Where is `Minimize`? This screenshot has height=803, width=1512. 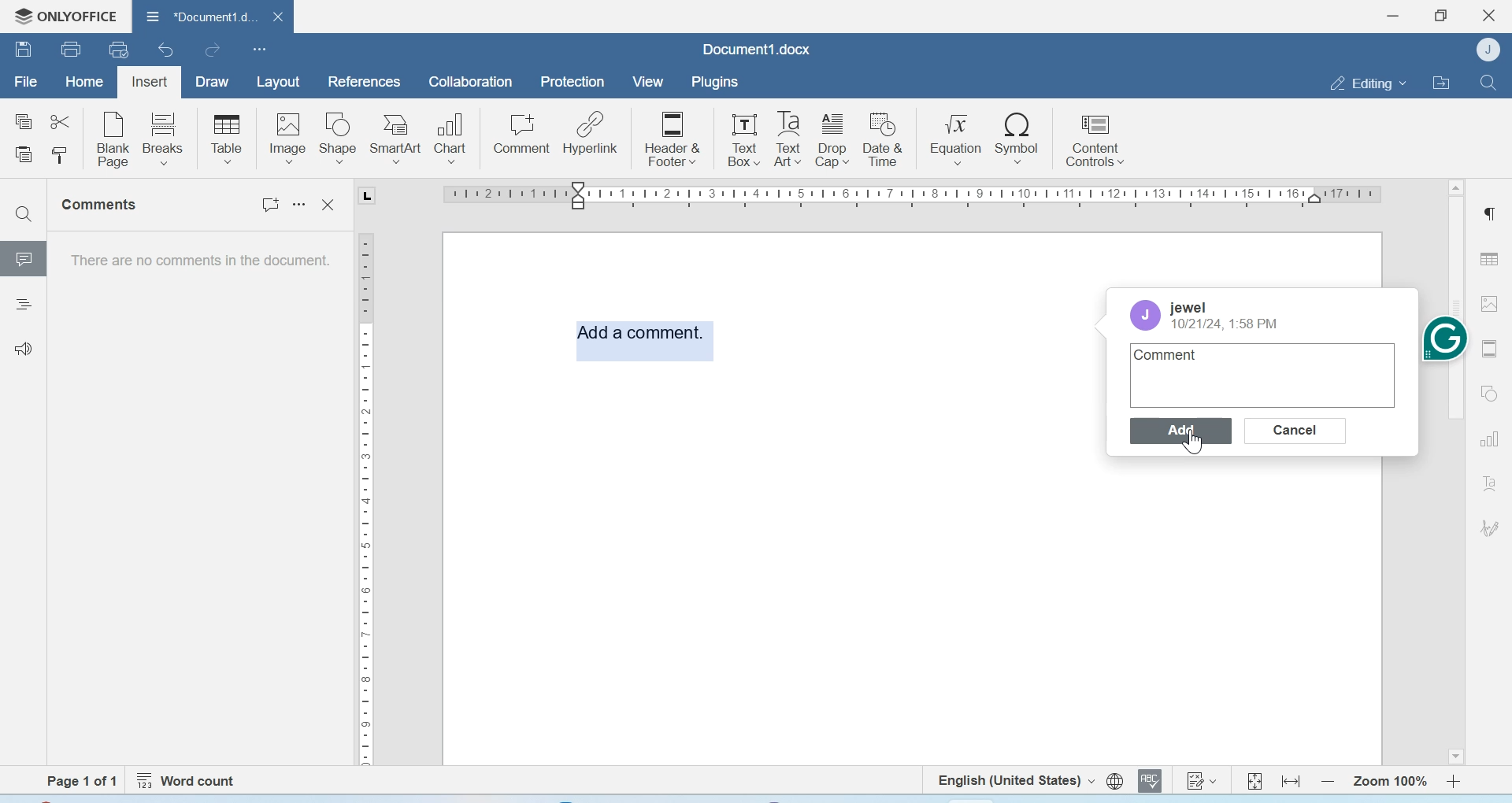
Minimize is located at coordinates (1395, 16).